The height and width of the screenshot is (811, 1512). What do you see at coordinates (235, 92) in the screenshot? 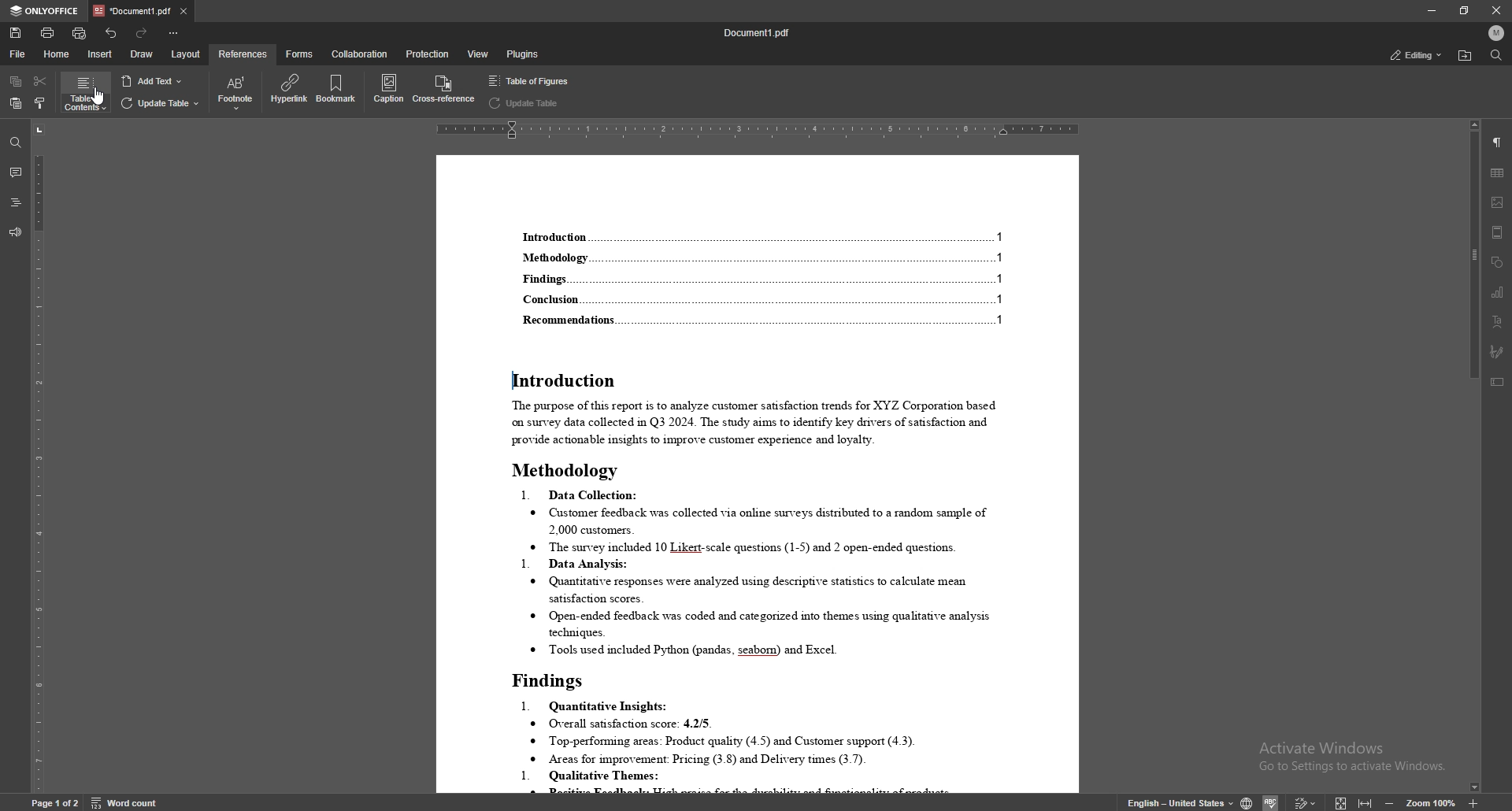
I see `footnote` at bounding box center [235, 92].